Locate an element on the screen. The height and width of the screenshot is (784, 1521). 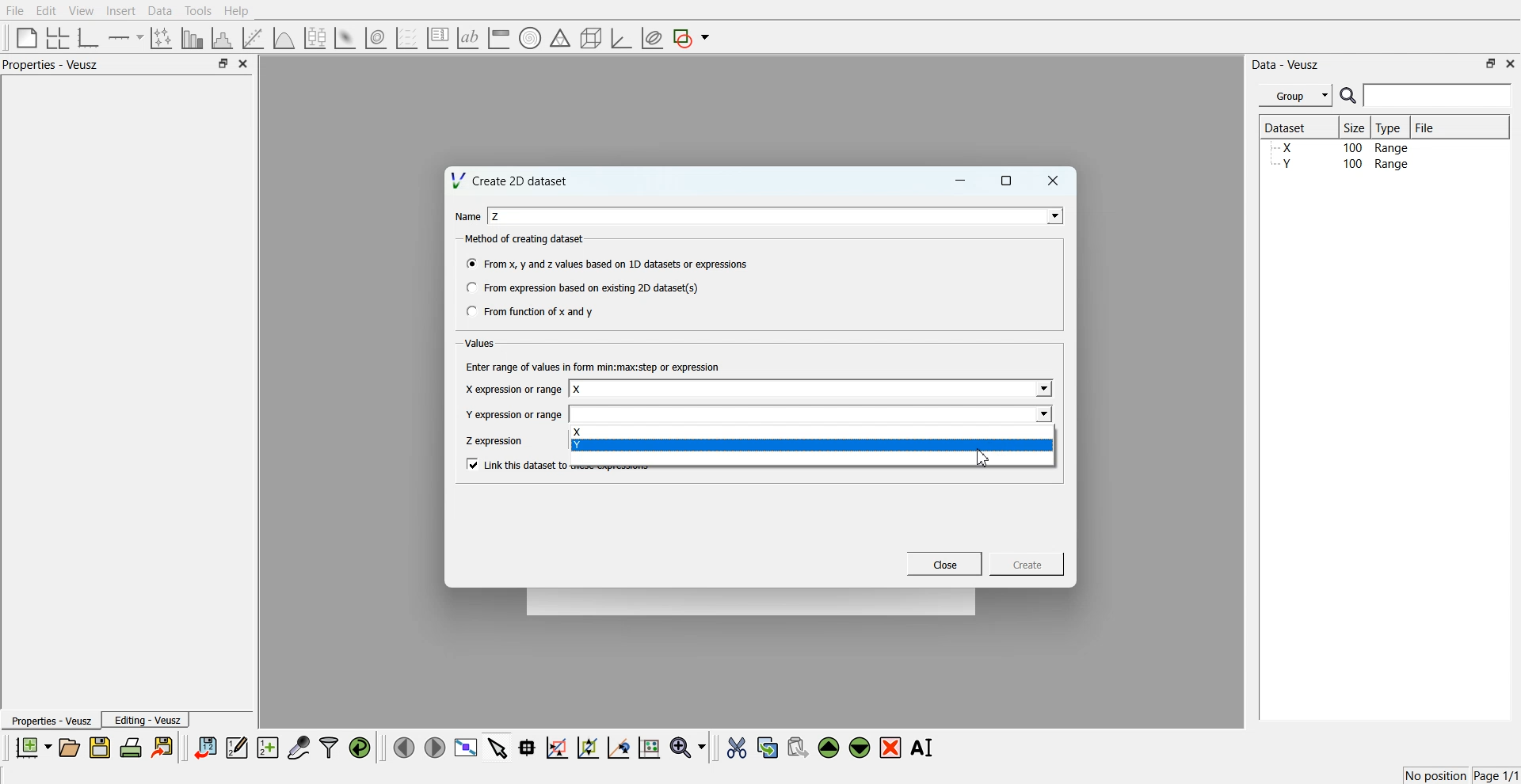
Import dataset from veusz is located at coordinates (205, 747).